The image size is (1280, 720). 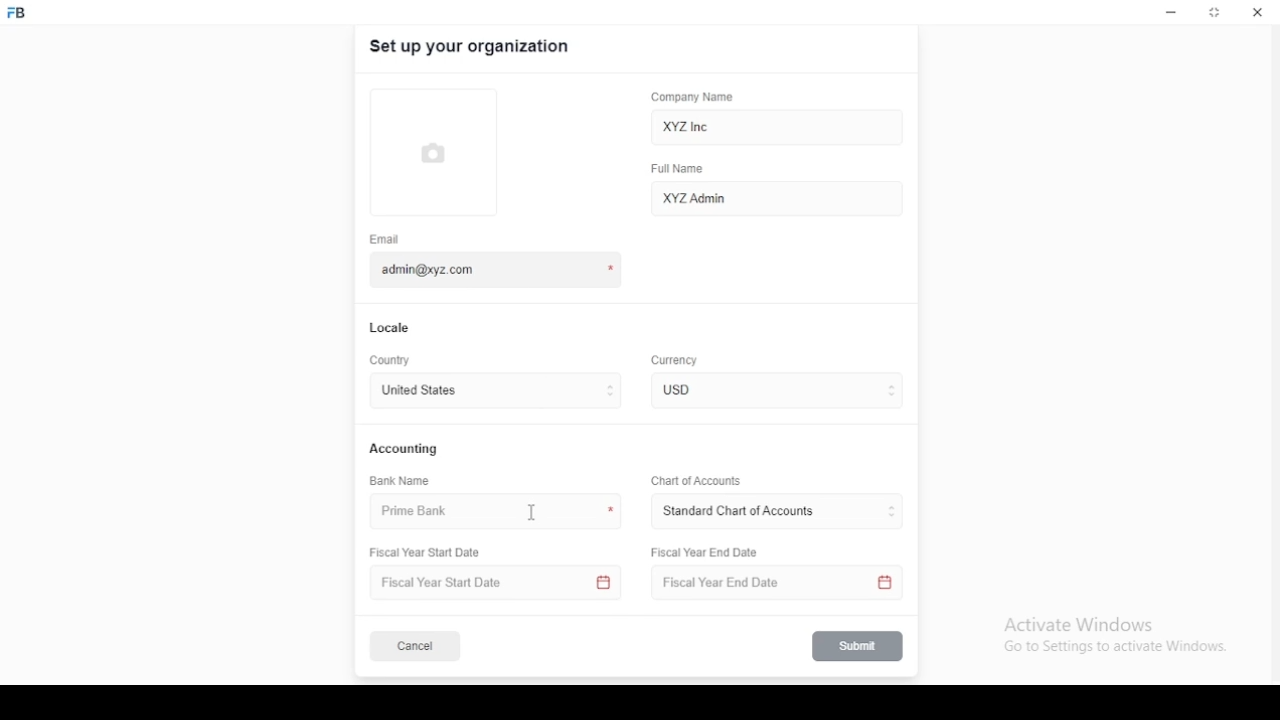 I want to click on cancel, so click(x=415, y=647).